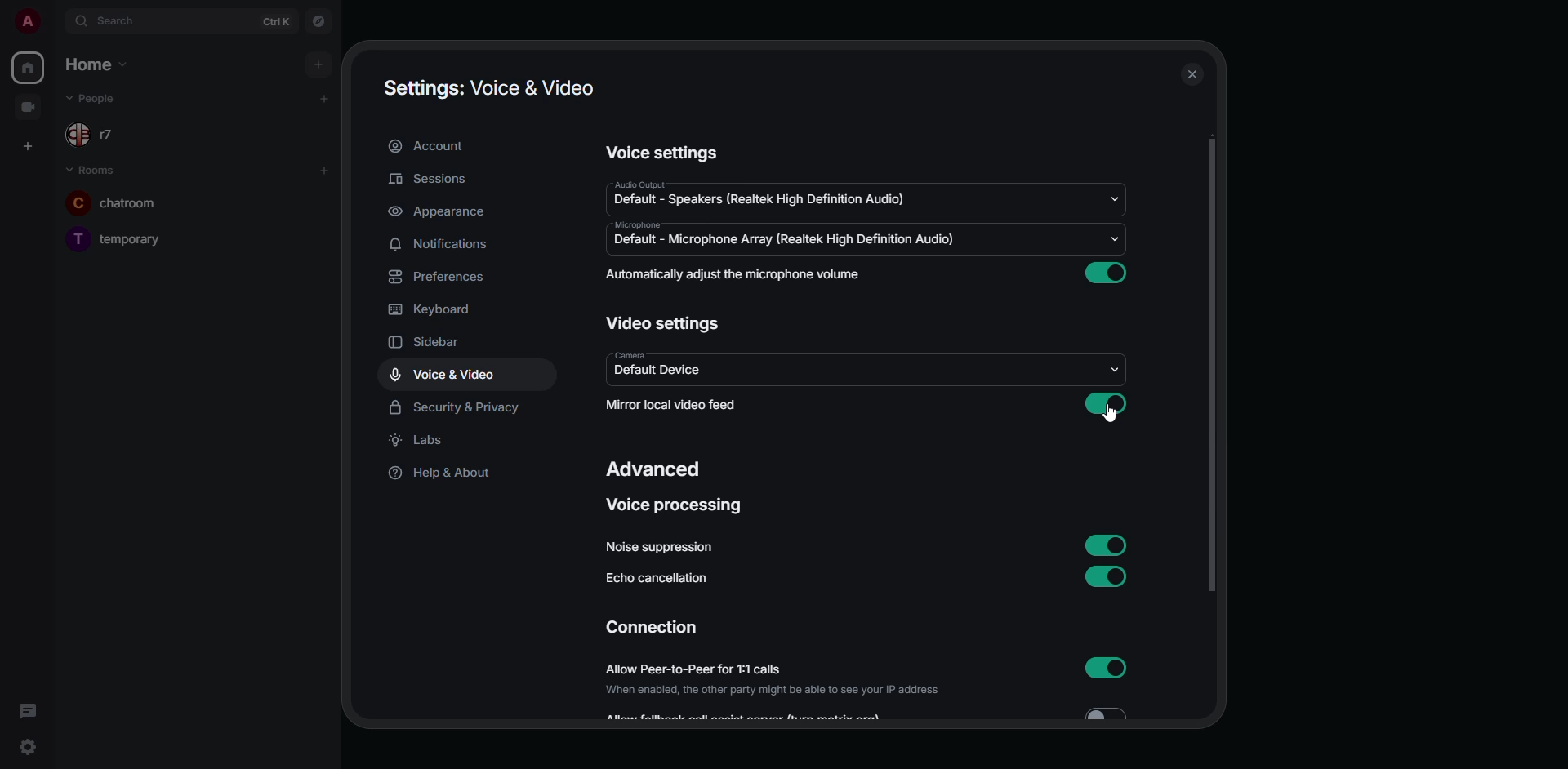 The height and width of the screenshot is (769, 1568). Describe the element at coordinates (323, 169) in the screenshot. I see `add` at that location.